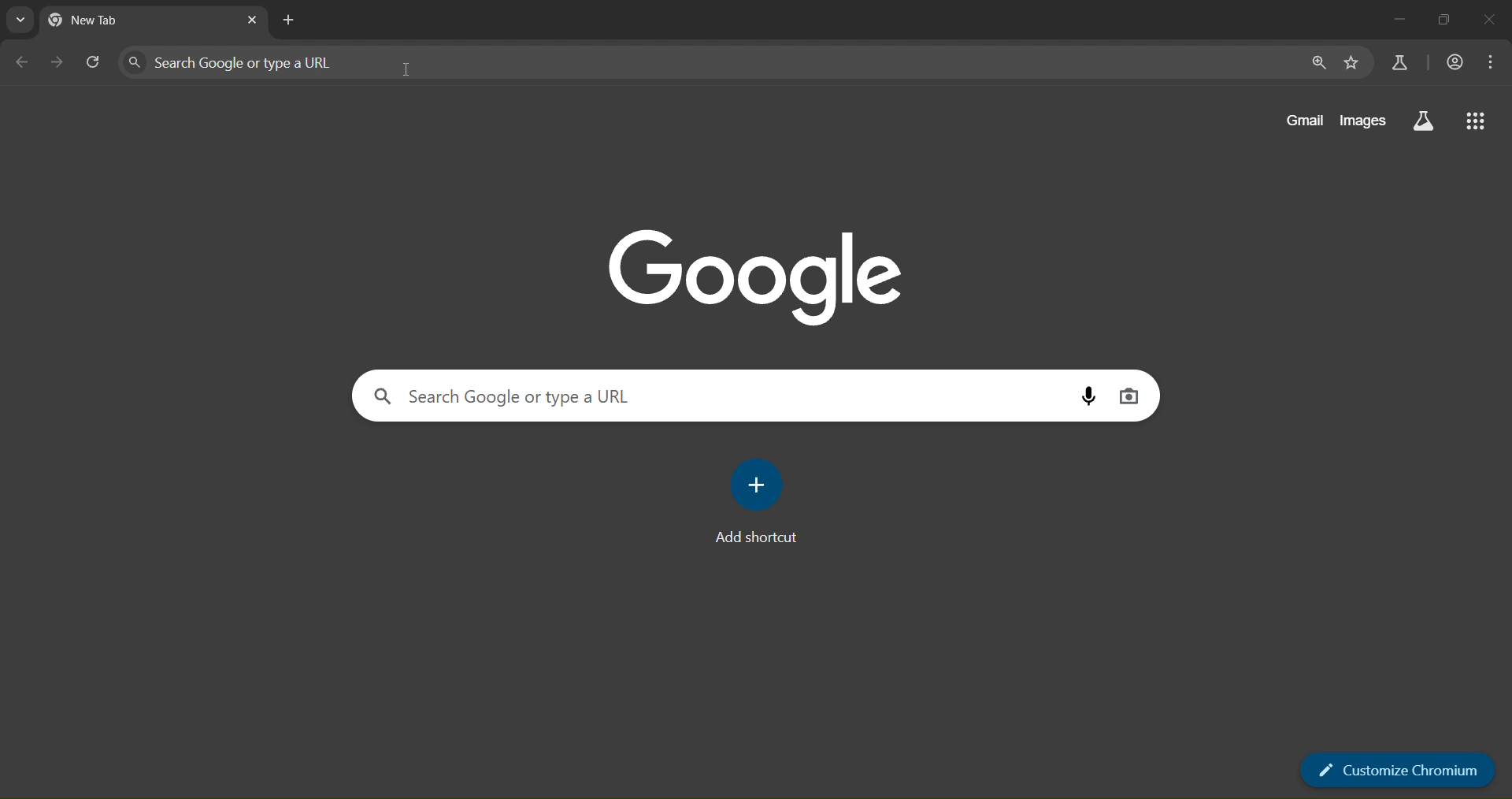 Image resolution: width=1512 pixels, height=799 pixels. What do you see at coordinates (56, 62) in the screenshot?
I see `go forward one page` at bounding box center [56, 62].